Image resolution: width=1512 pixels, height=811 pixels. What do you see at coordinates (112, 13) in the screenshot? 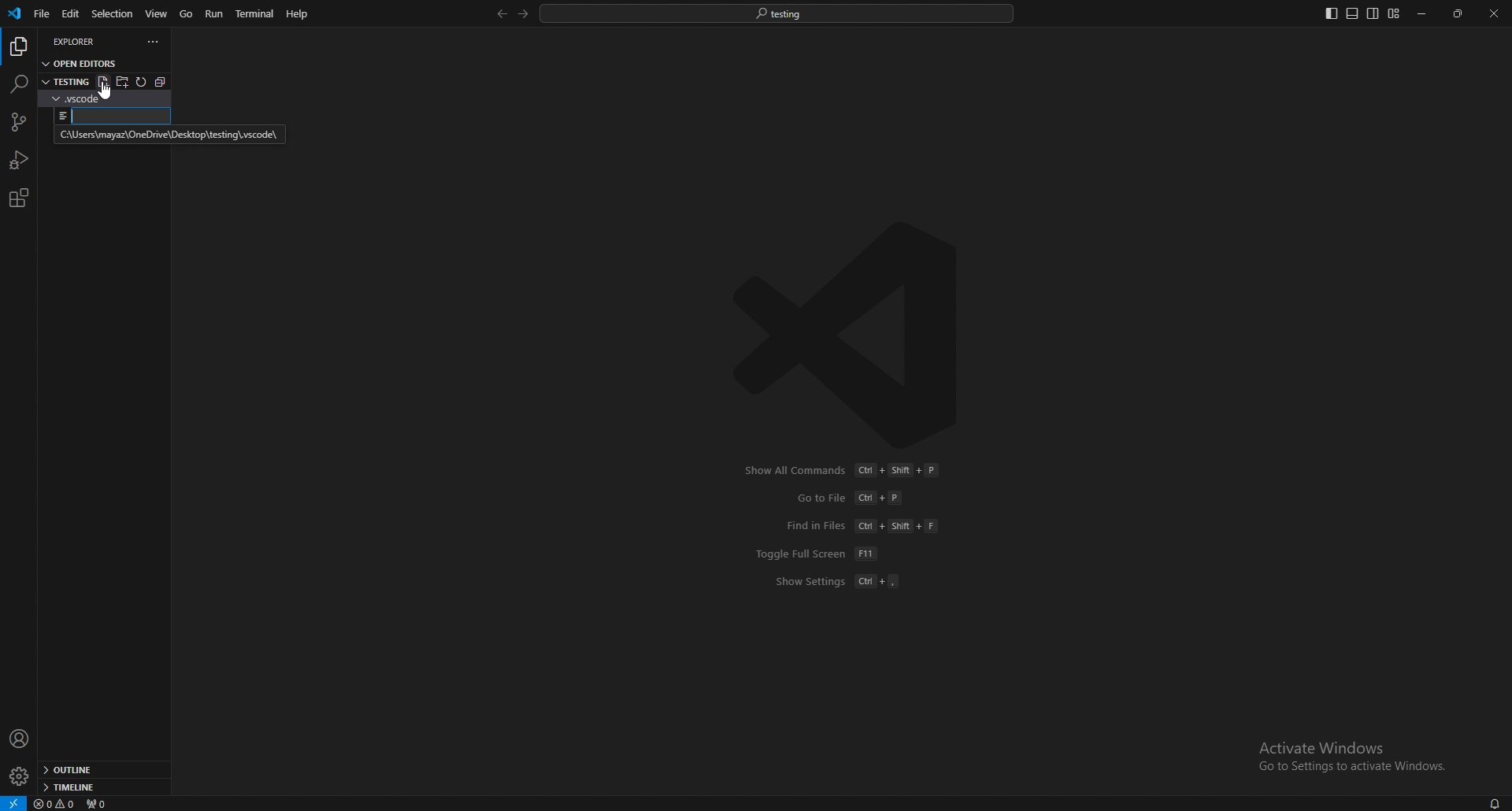
I see `selection` at bounding box center [112, 13].